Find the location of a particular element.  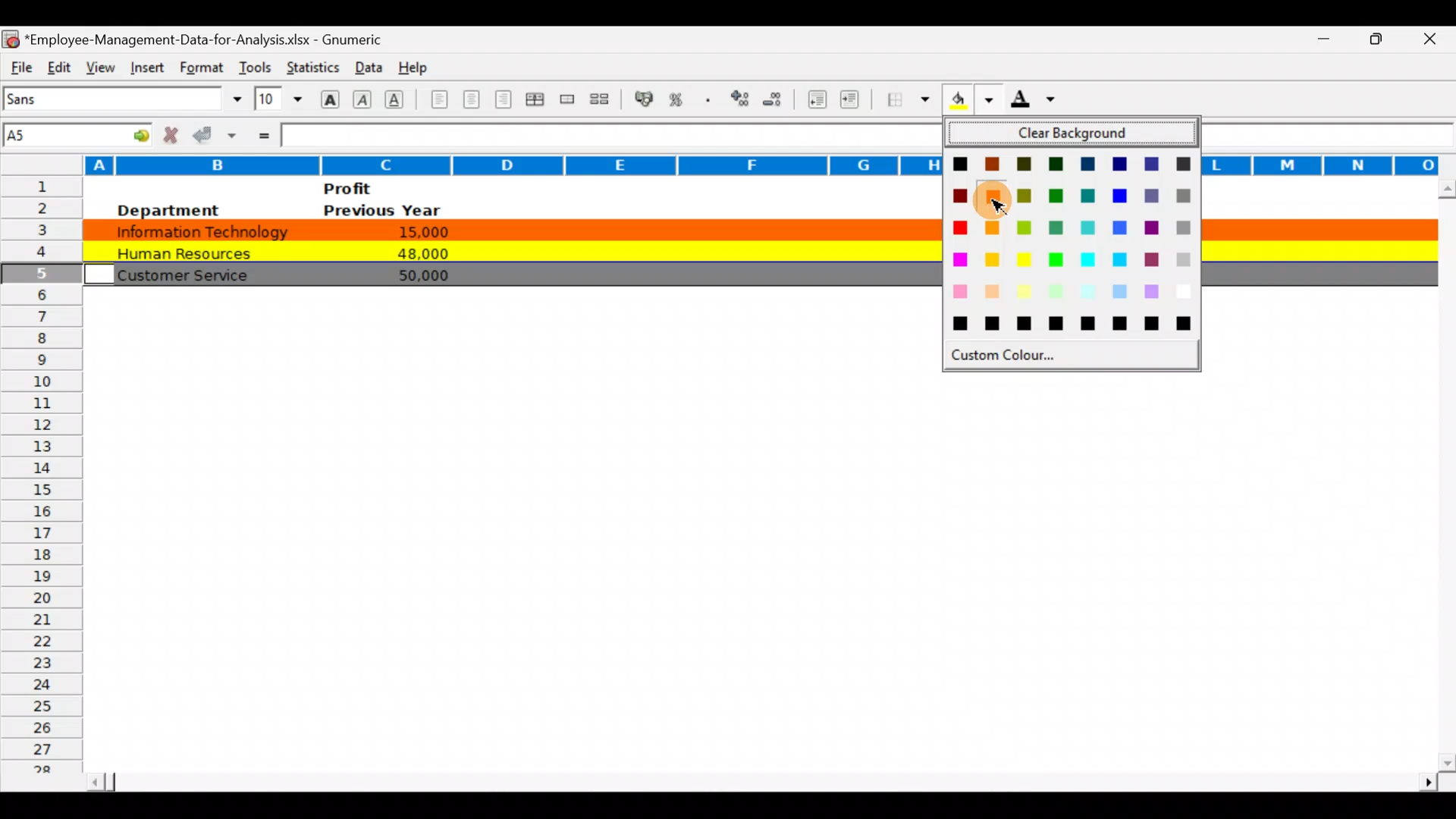

Format selection as percentage is located at coordinates (681, 99).